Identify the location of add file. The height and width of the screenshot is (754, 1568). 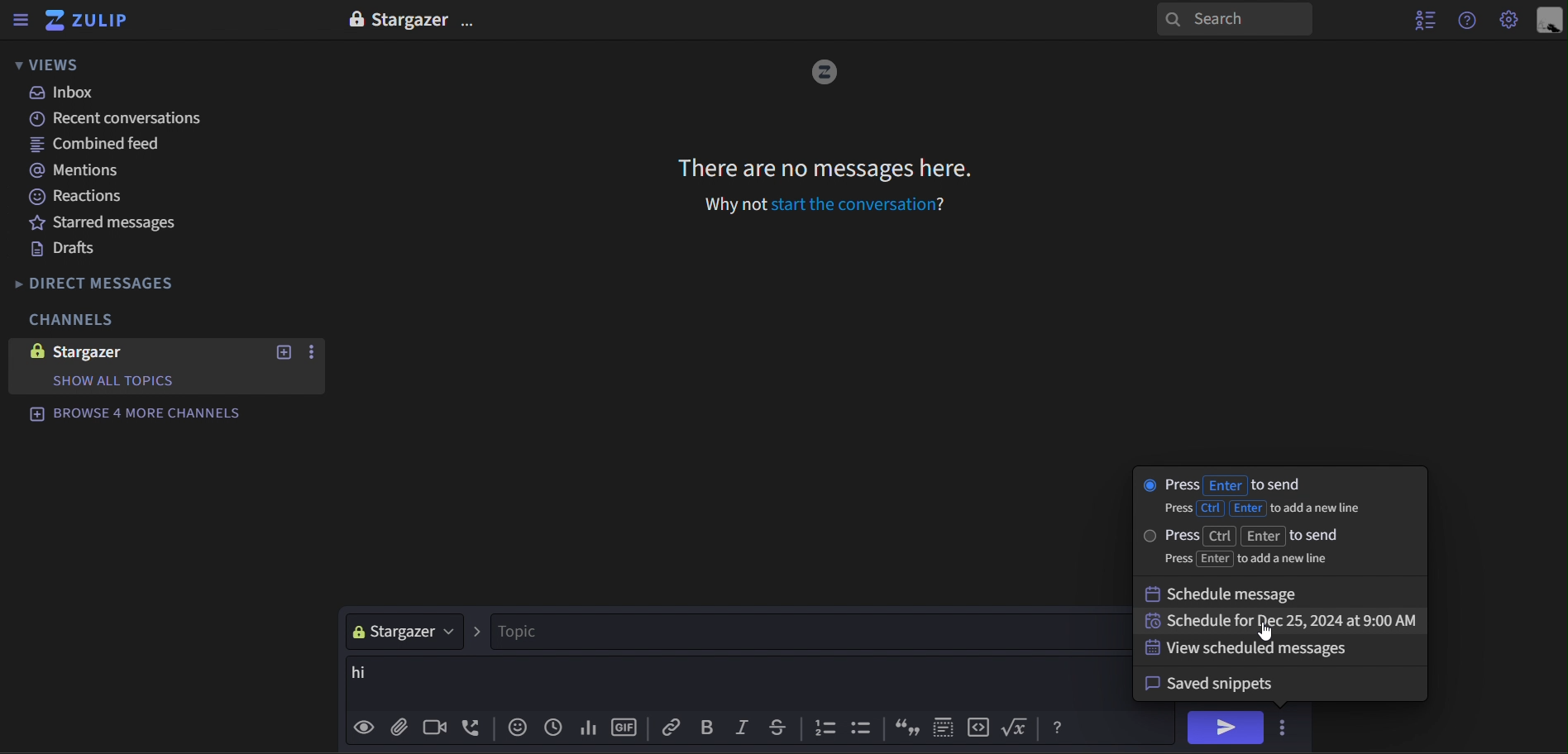
(399, 728).